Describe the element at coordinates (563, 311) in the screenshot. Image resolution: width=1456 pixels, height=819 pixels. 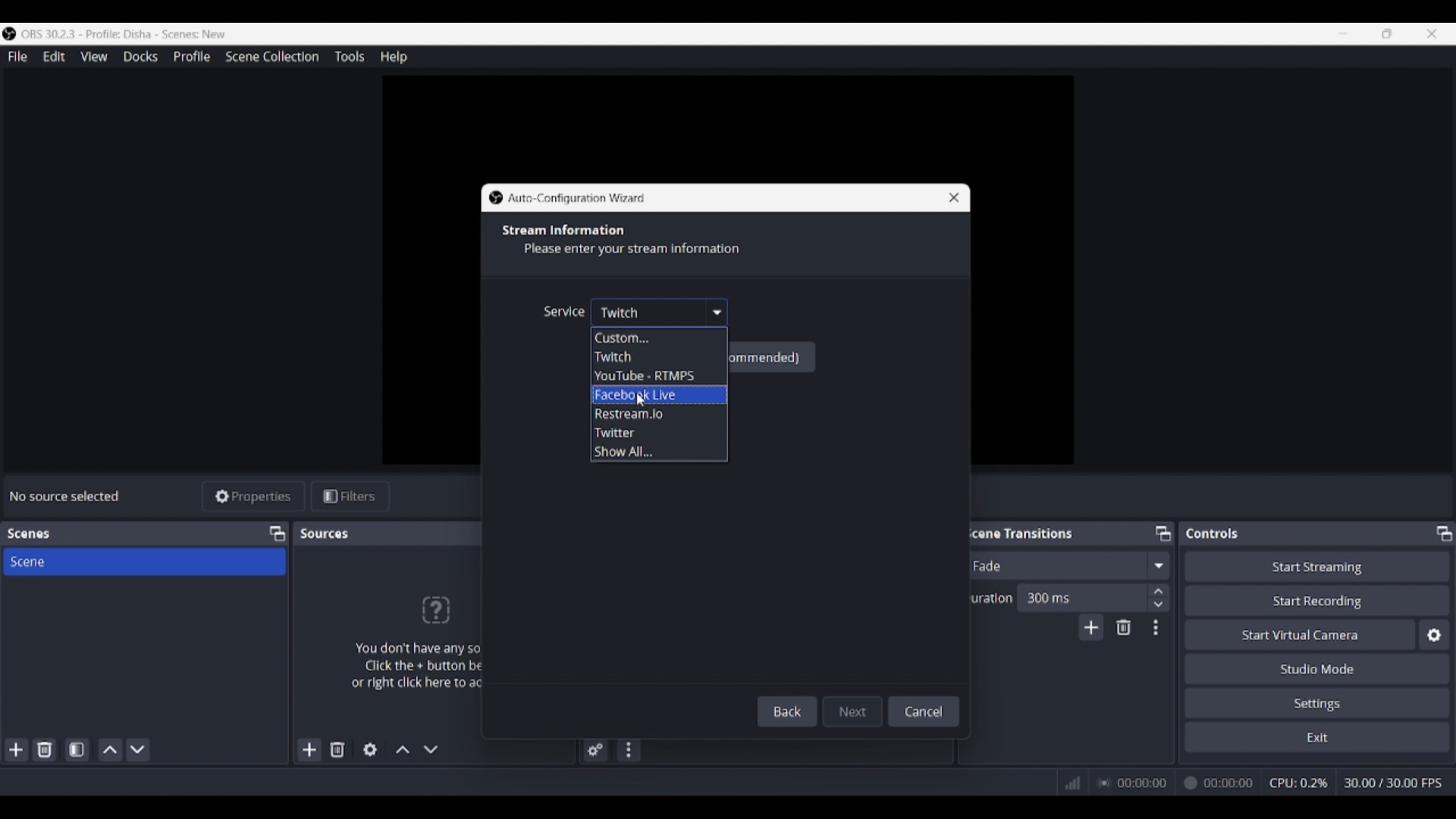
I see `Indicates service options` at that location.